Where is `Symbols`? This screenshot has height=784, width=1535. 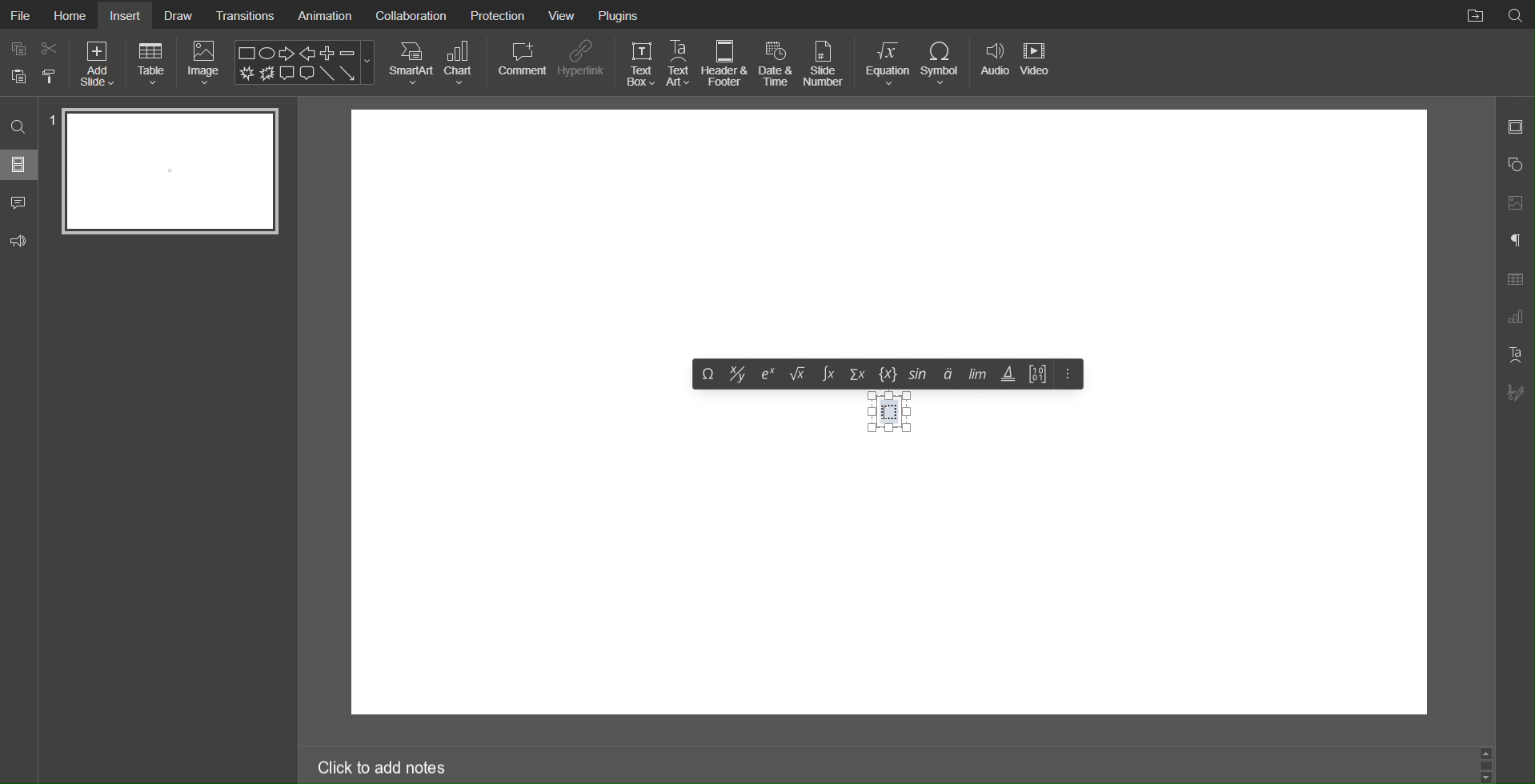
Symbols is located at coordinates (946, 376).